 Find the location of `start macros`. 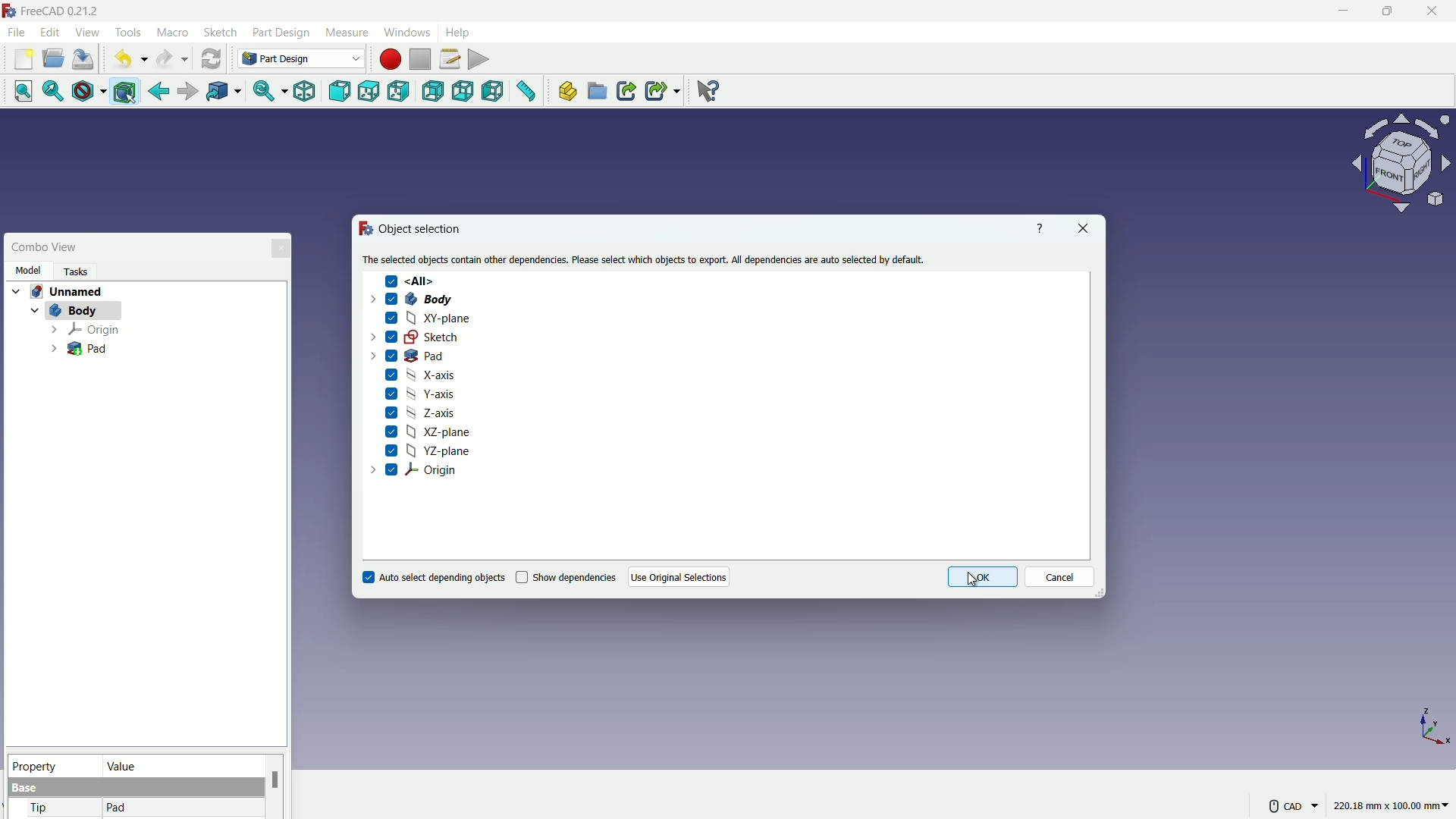

start macros is located at coordinates (389, 59).